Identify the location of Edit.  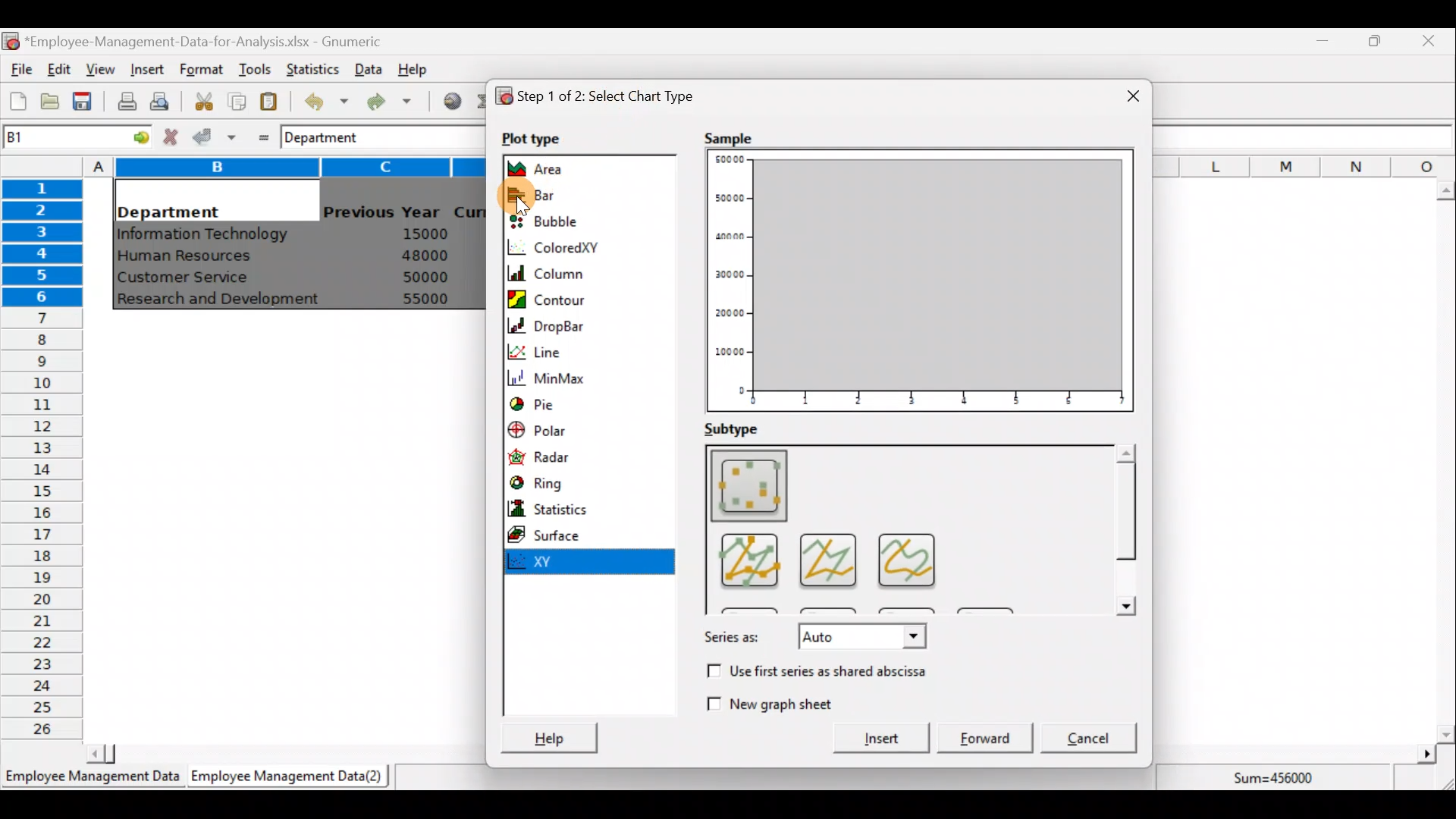
(60, 71).